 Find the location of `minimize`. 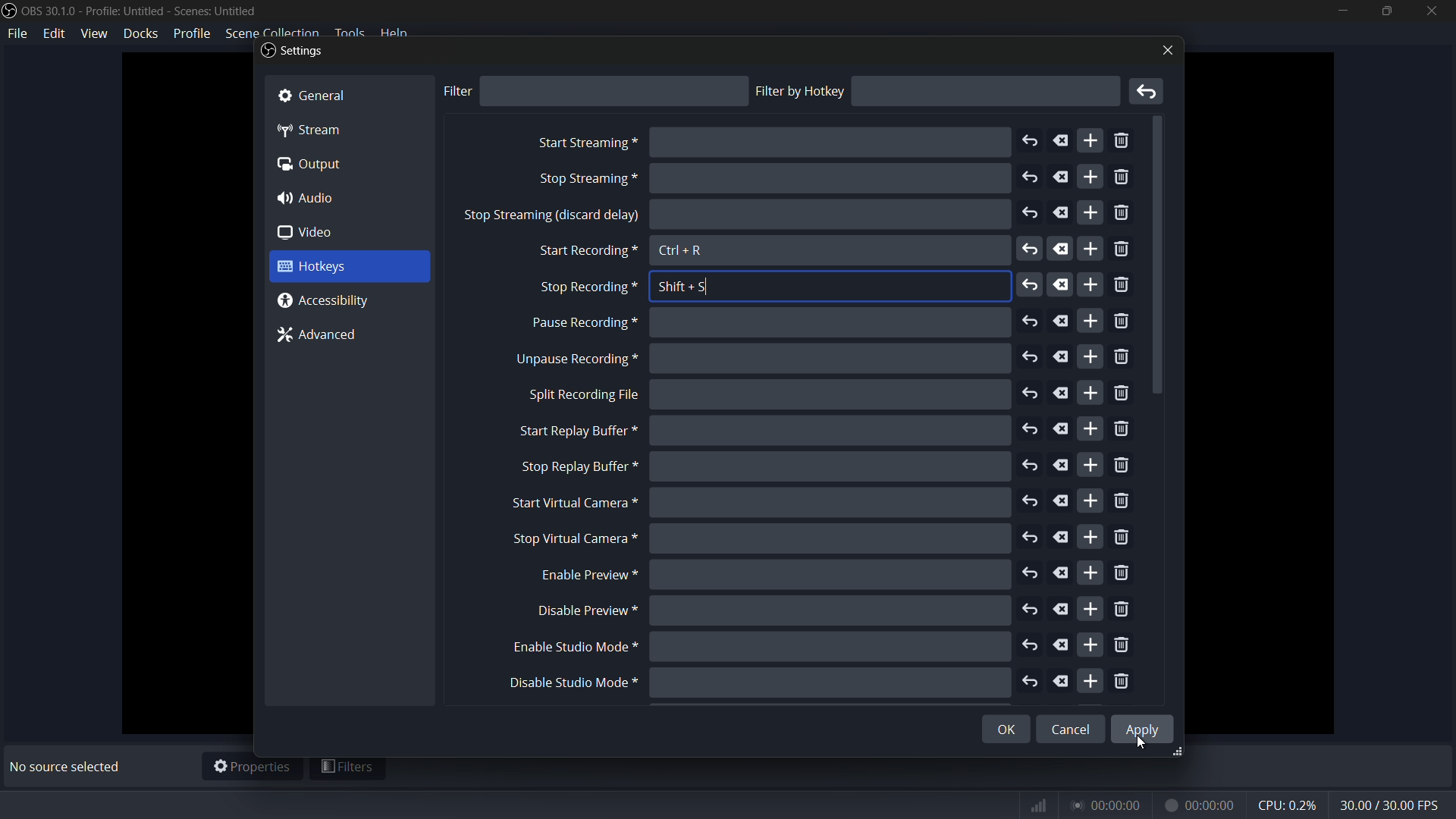

minimize is located at coordinates (1342, 11).